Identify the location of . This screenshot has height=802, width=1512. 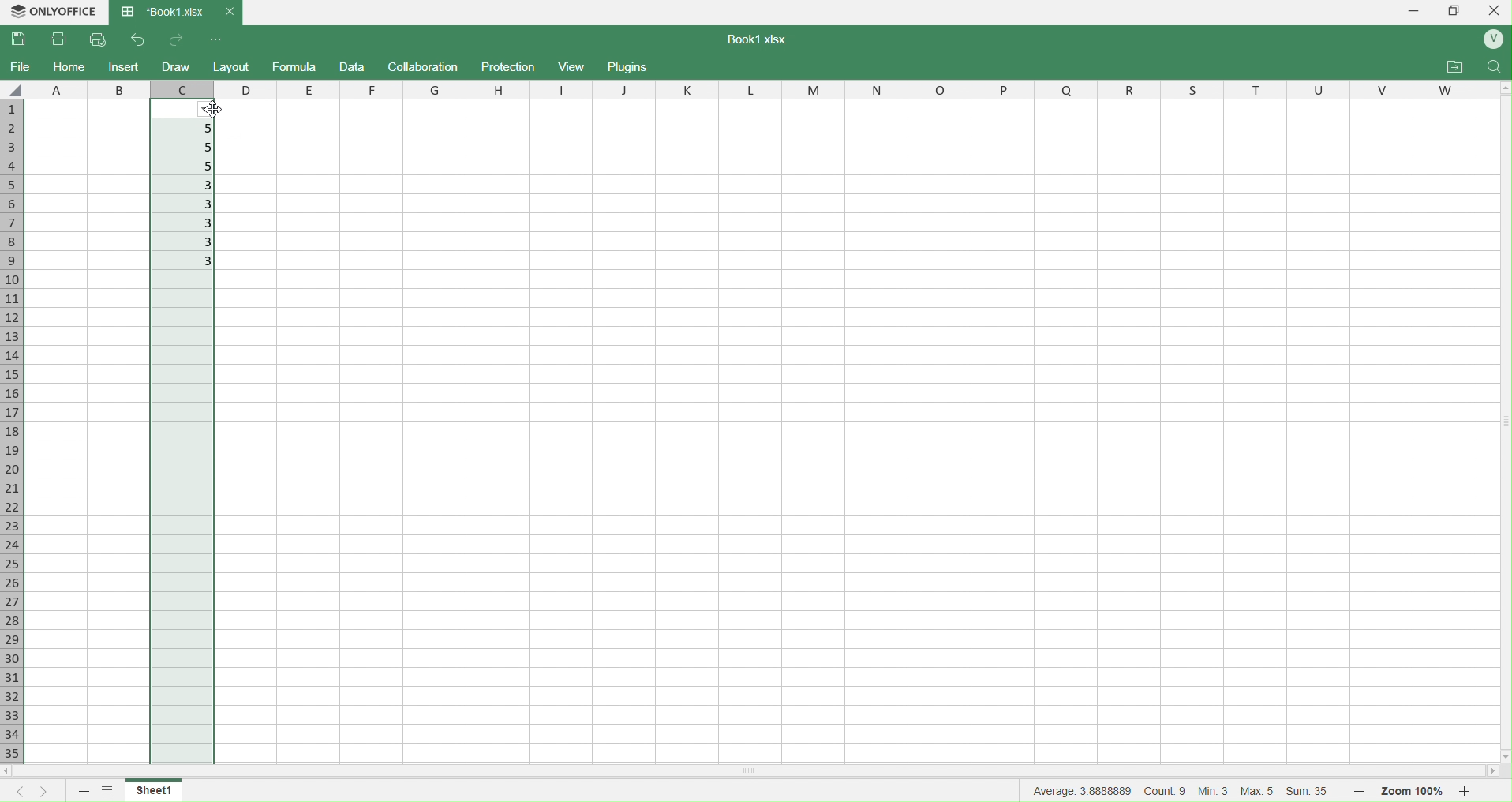
(1503, 757).